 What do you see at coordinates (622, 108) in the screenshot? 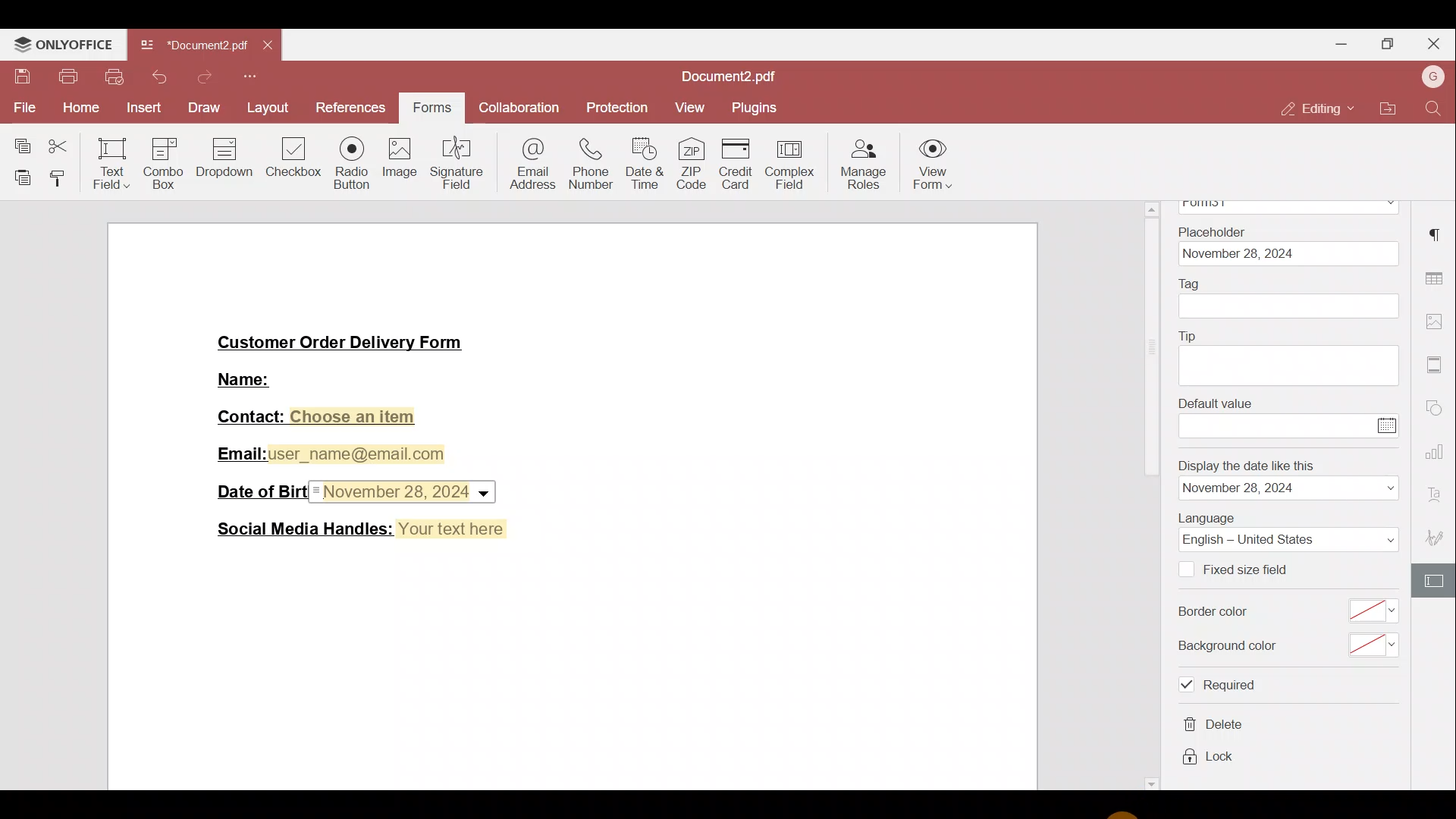
I see `Protection` at bounding box center [622, 108].